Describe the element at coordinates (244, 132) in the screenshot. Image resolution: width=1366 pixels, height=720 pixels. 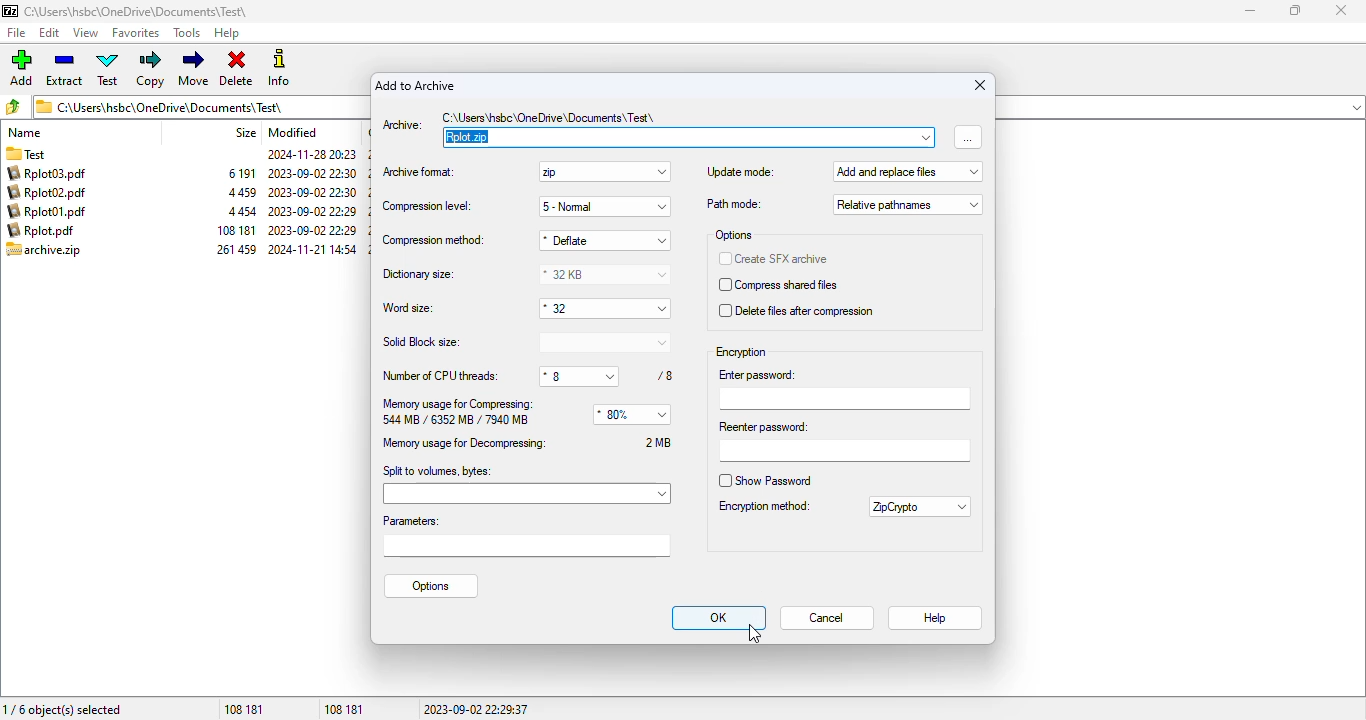
I see `size` at that location.